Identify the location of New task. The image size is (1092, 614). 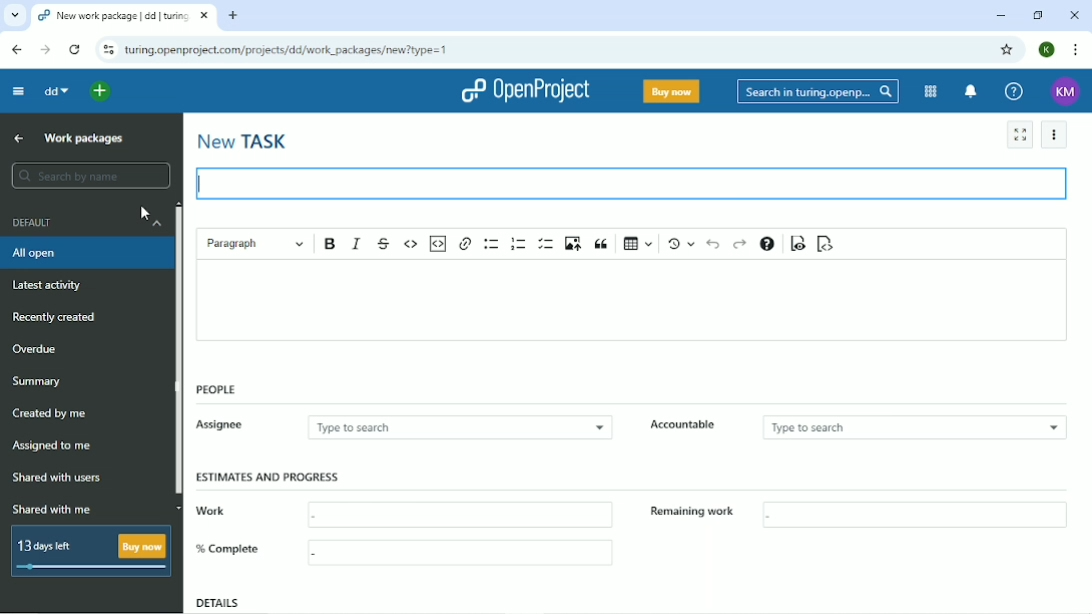
(243, 143).